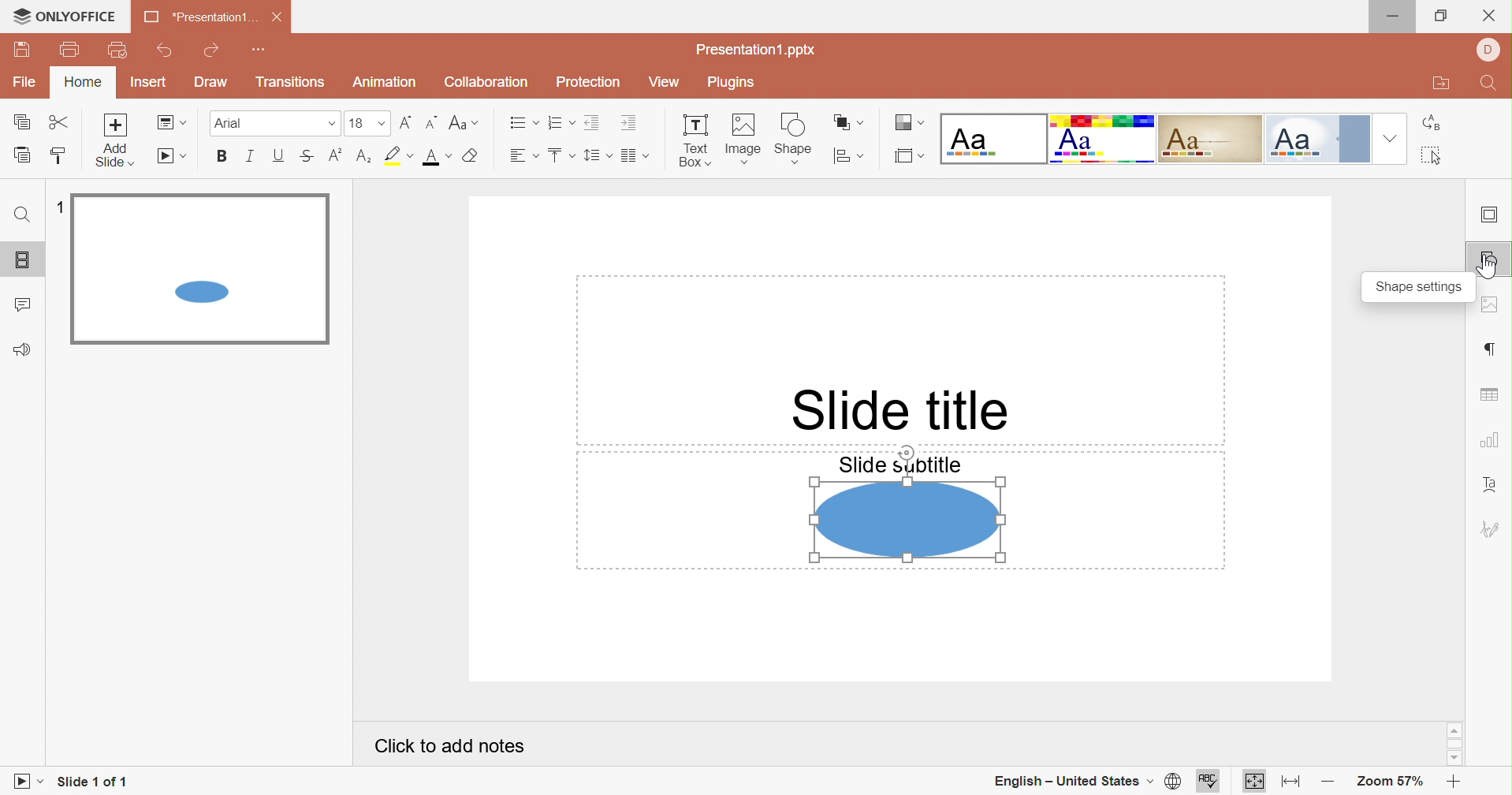 Image resolution: width=1512 pixels, height=795 pixels. What do you see at coordinates (902, 412) in the screenshot?
I see `Slide title` at bounding box center [902, 412].